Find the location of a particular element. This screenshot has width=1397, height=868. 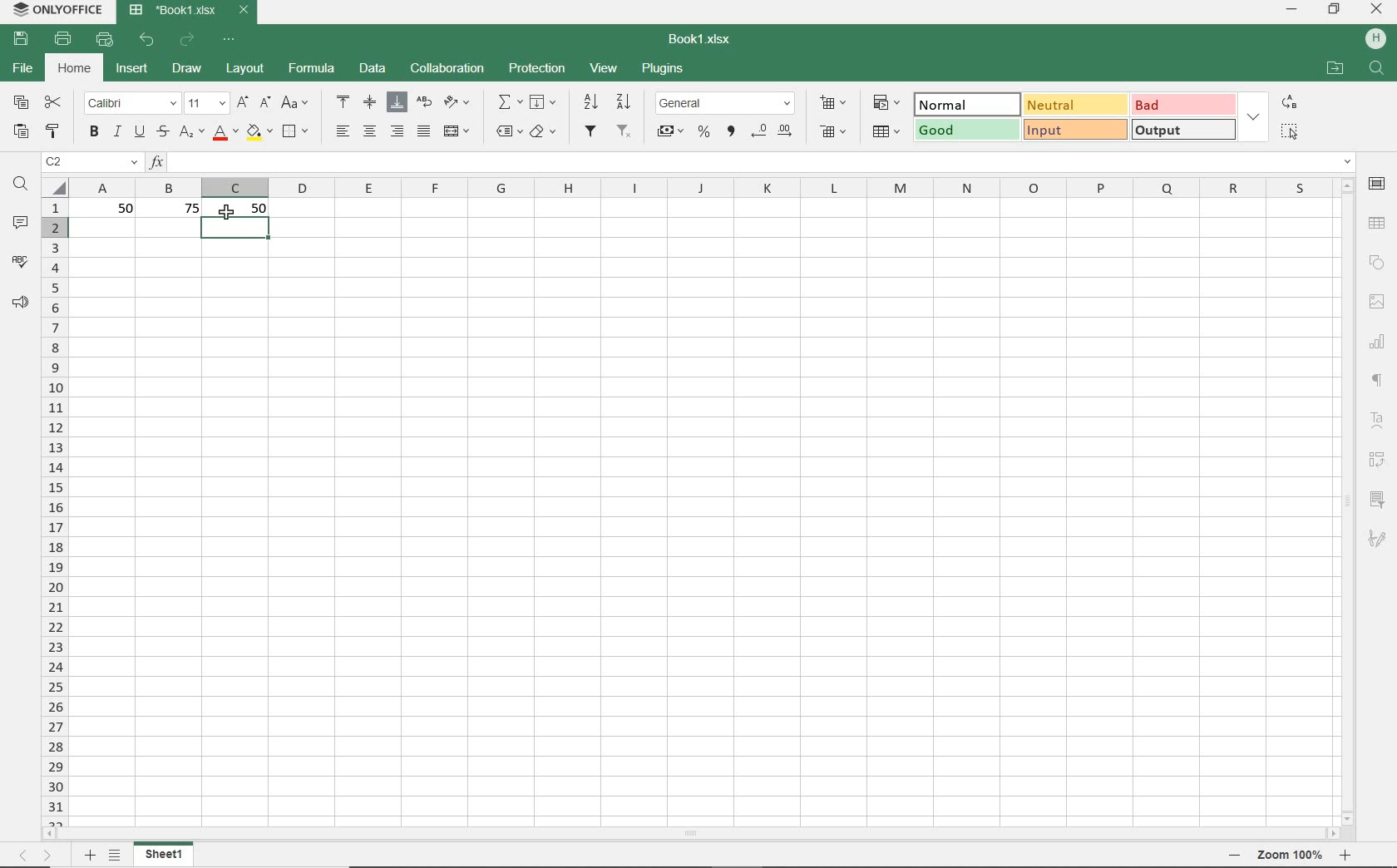

find is located at coordinates (1375, 67).